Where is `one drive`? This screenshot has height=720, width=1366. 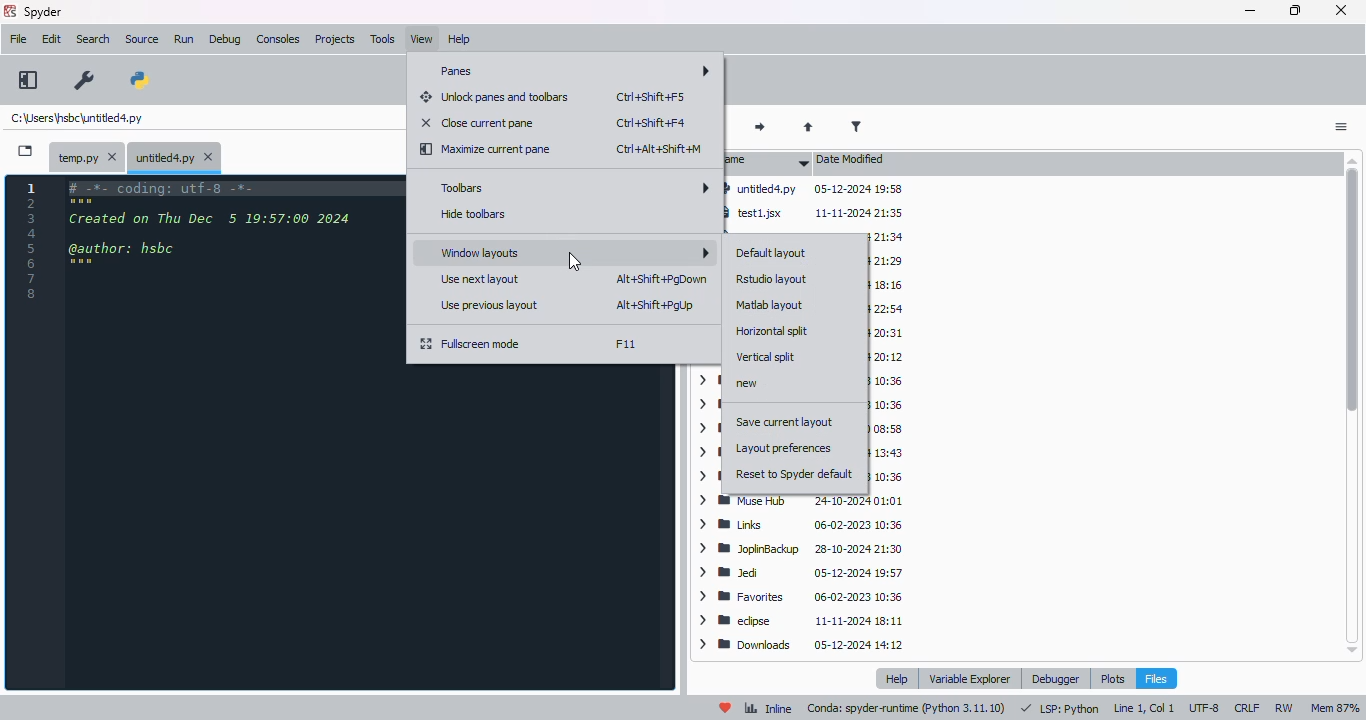
one drive is located at coordinates (888, 452).